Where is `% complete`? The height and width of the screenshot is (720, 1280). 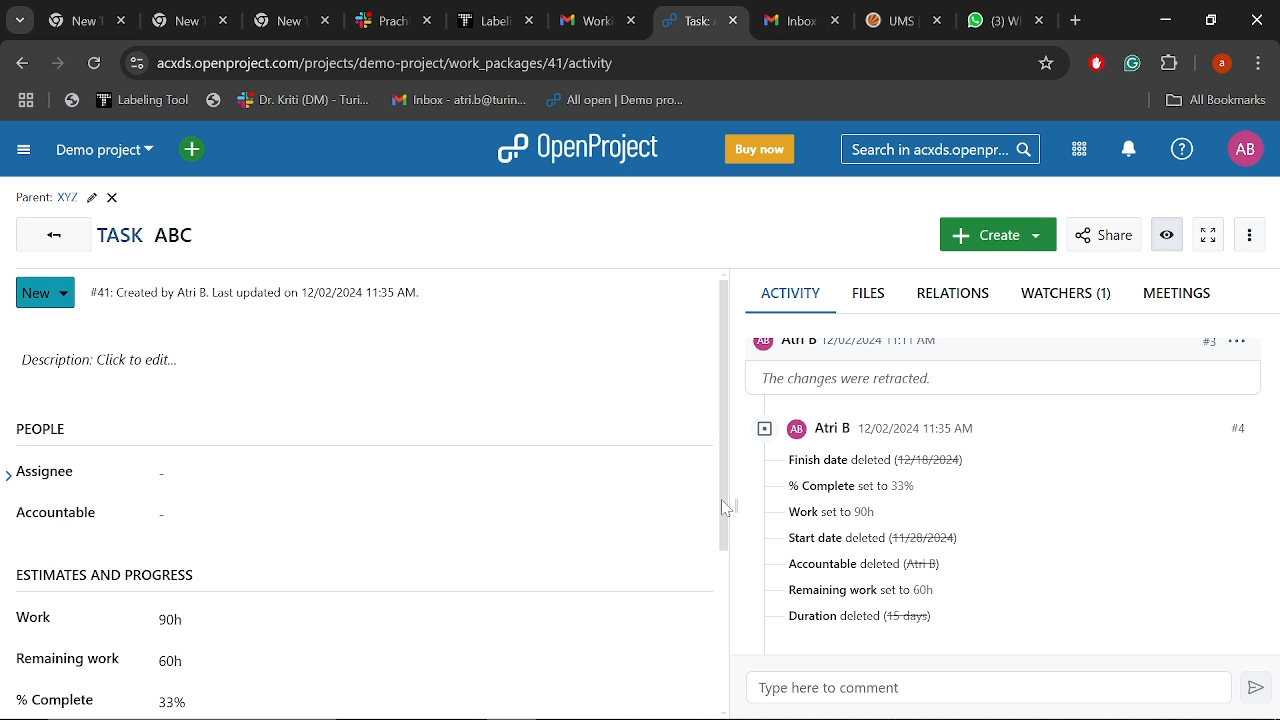
% complete is located at coordinates (56, 699).